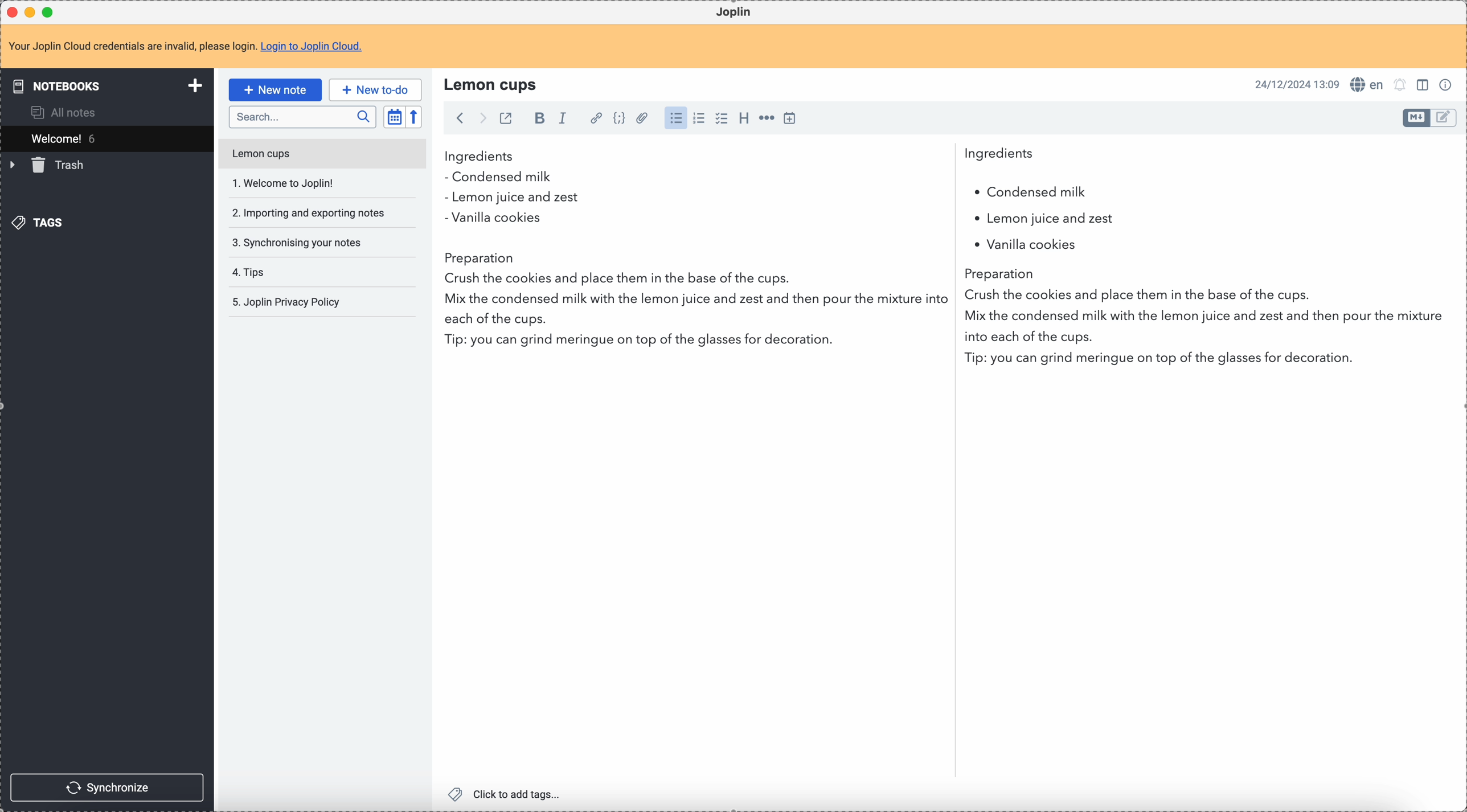 Image resolution: width=1467 pixels, height=812 pixels. I want to click on numbered list, so click(700, 118).